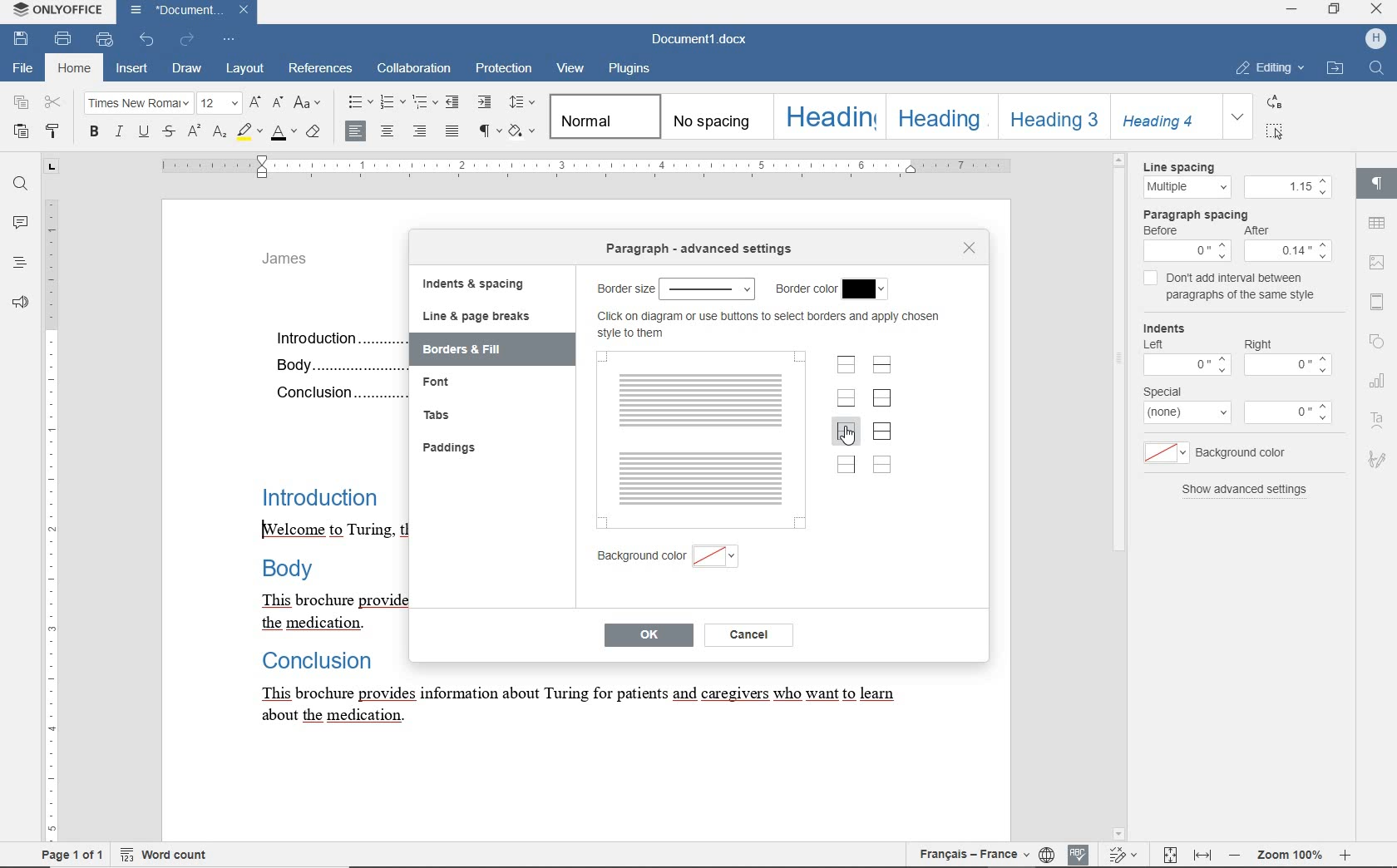 The image size is (1397, 868). What do you see at coordinates (522, 131) in the screenshot?
I see `shading` at bounding box center [522, 131].